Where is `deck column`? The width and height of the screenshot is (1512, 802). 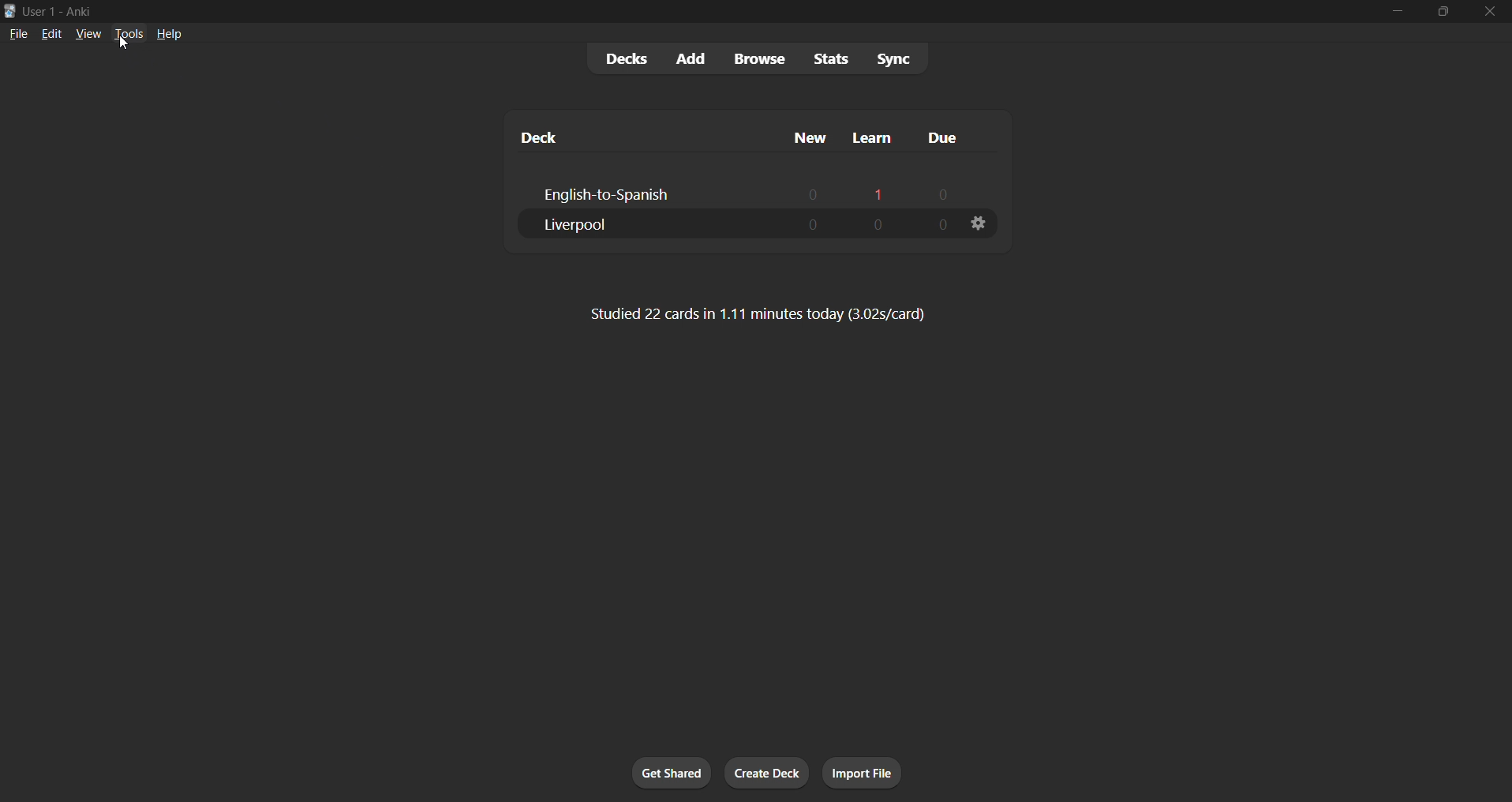
deck column is located at coordinates (636, 137).